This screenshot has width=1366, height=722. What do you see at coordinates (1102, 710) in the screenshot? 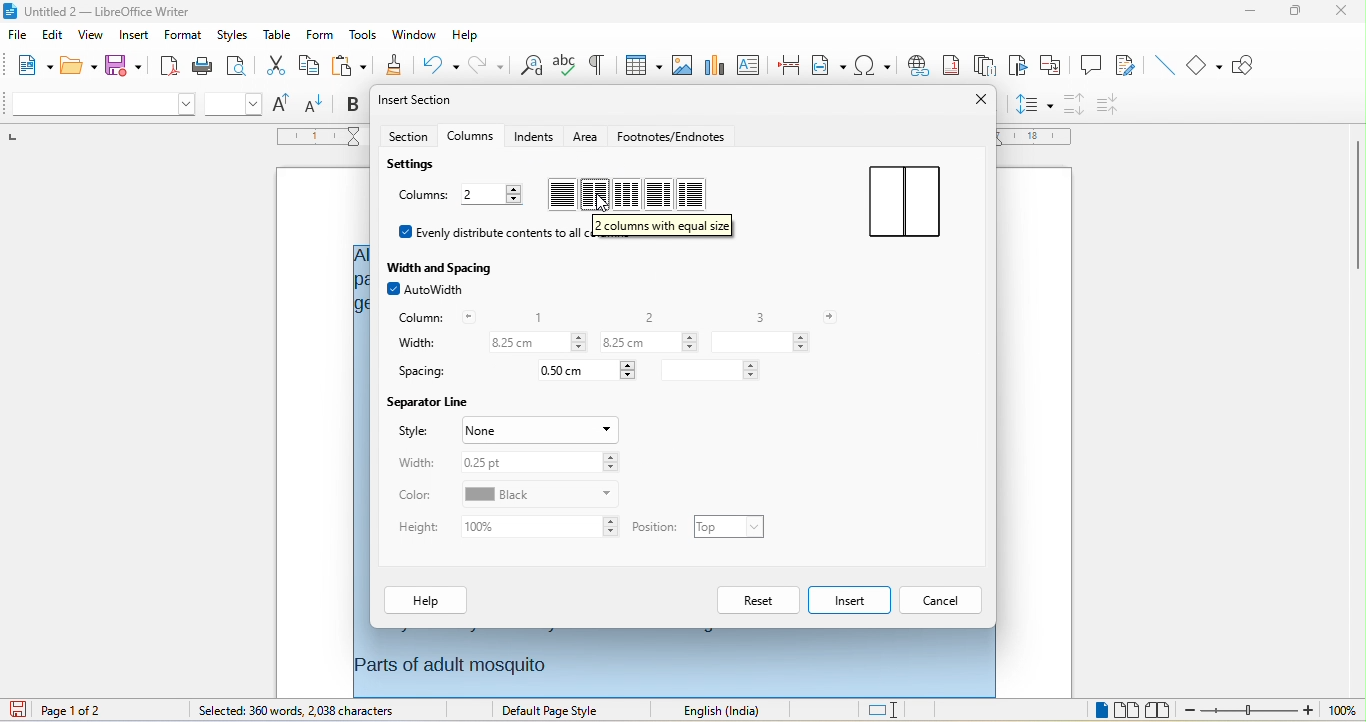
I see `single page view` at bounding box center [1102, 710].